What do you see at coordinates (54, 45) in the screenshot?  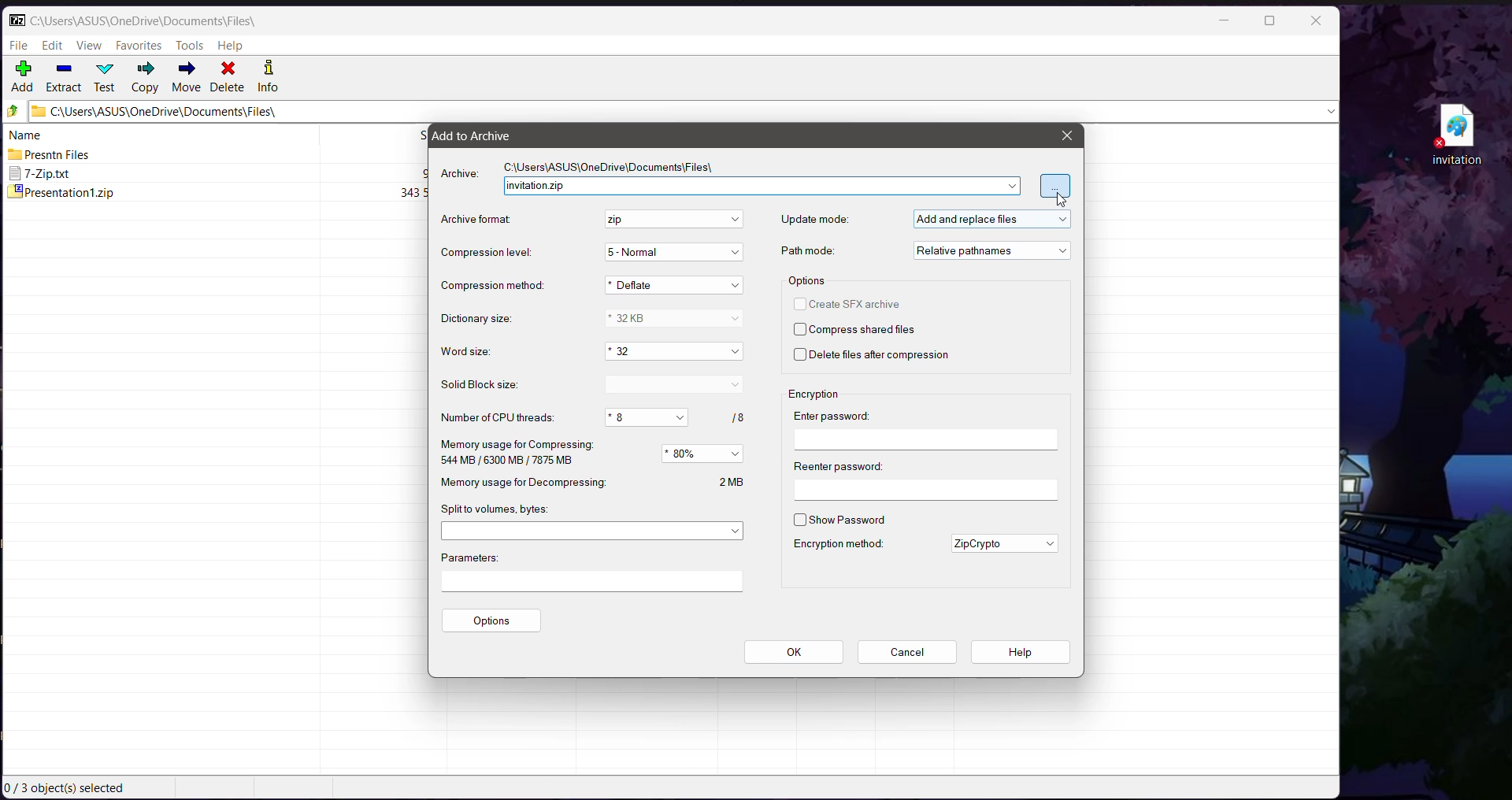 I see `Edit` at bounding box center [54, 45].